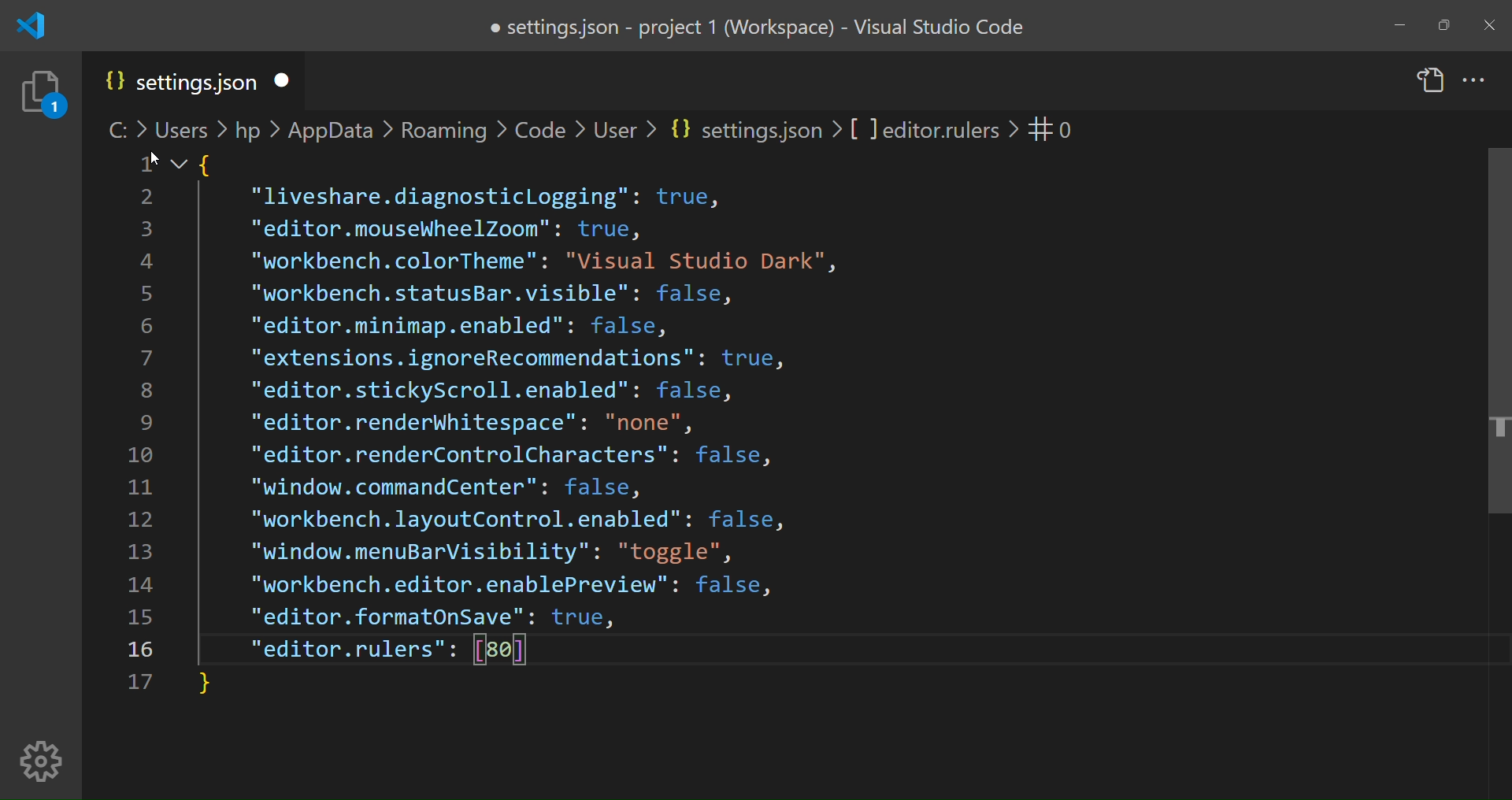 The height and width of the screenshot is (800, 1512). Describe the element at coordinates (1488, 345) in the screenshot. I see `scroll bar` at that location.